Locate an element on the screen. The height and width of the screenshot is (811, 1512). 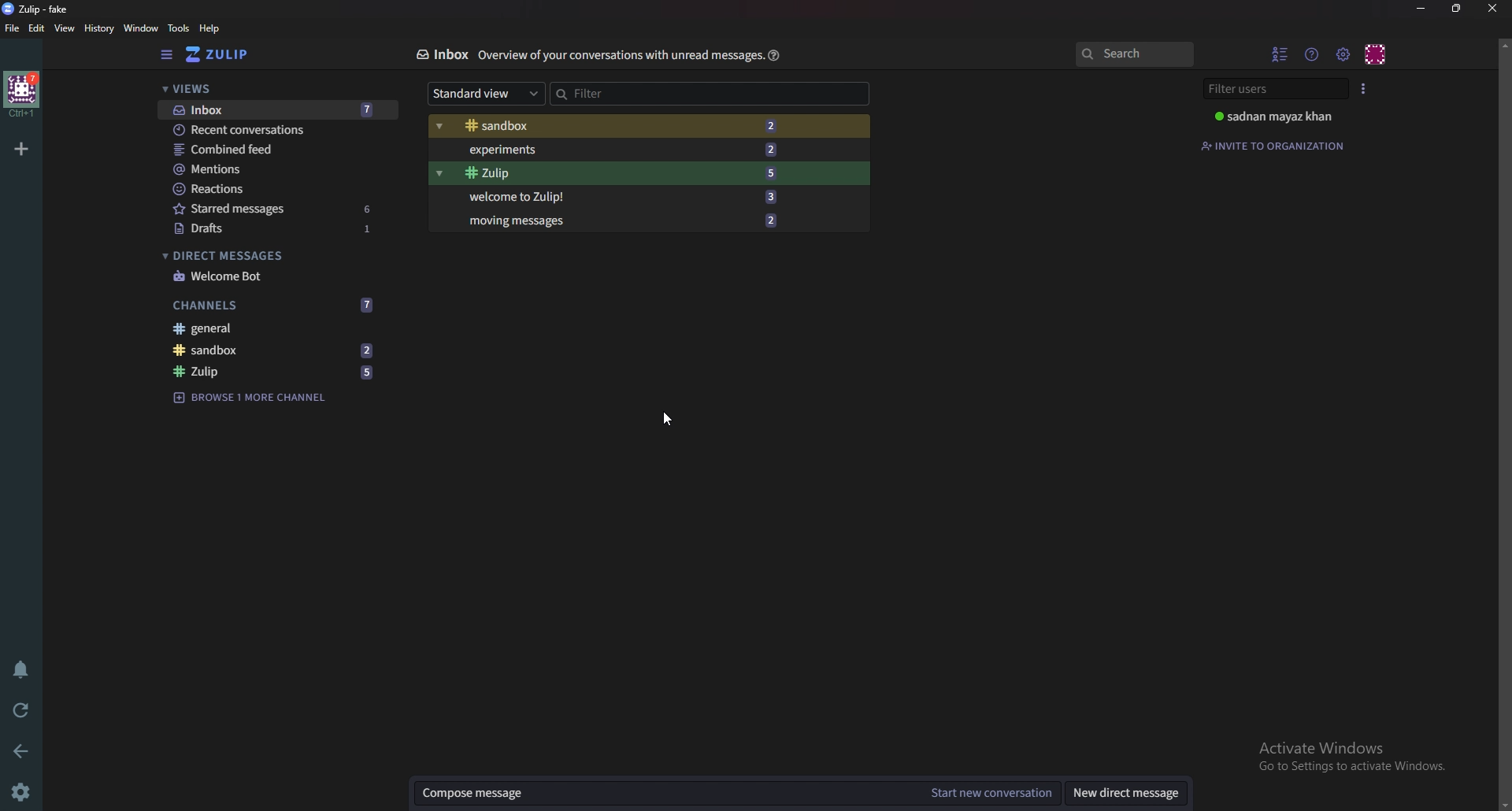
# Zulip is located at coordinates (535, 174).